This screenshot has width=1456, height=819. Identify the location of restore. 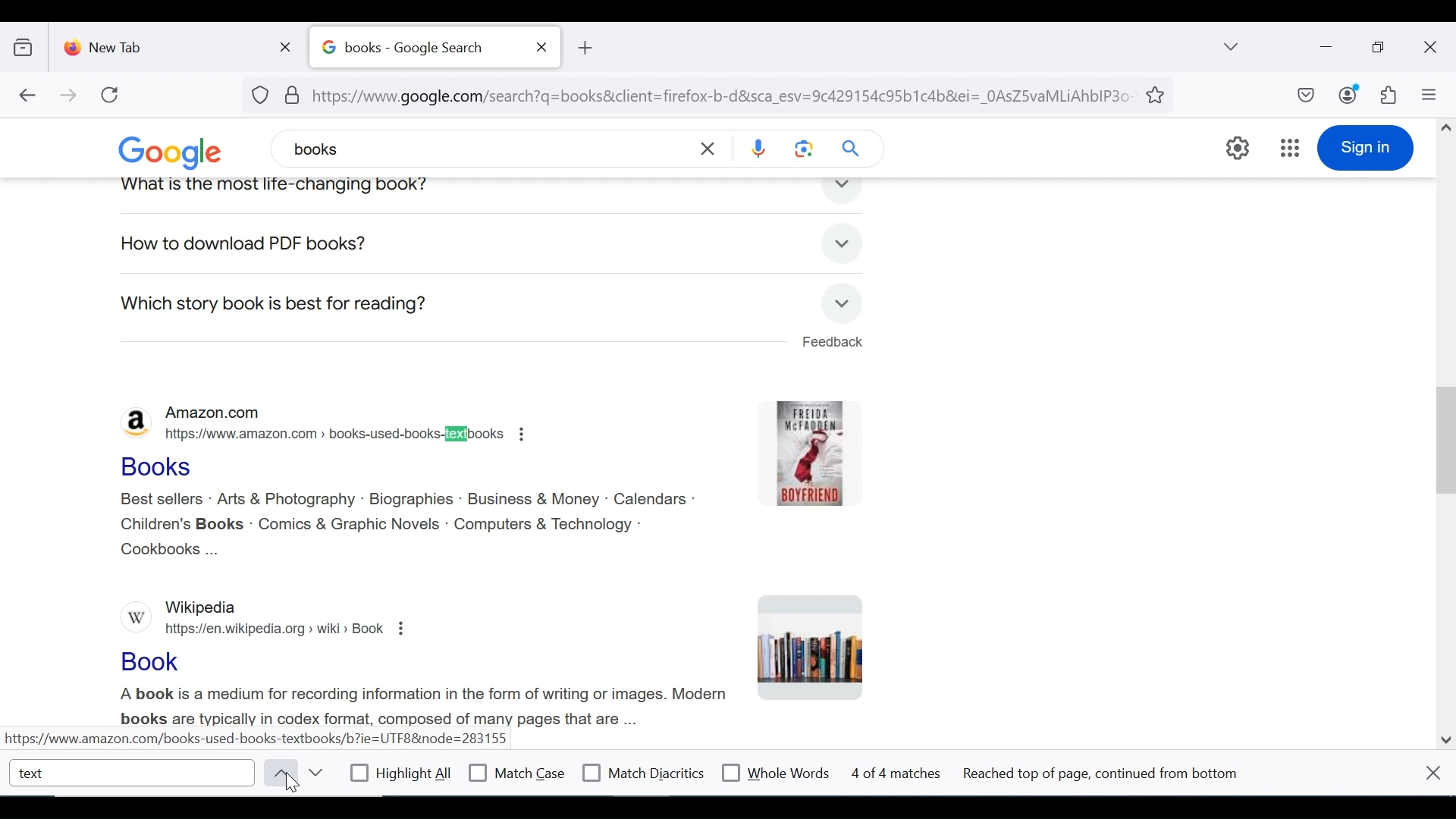
(1380, 48).